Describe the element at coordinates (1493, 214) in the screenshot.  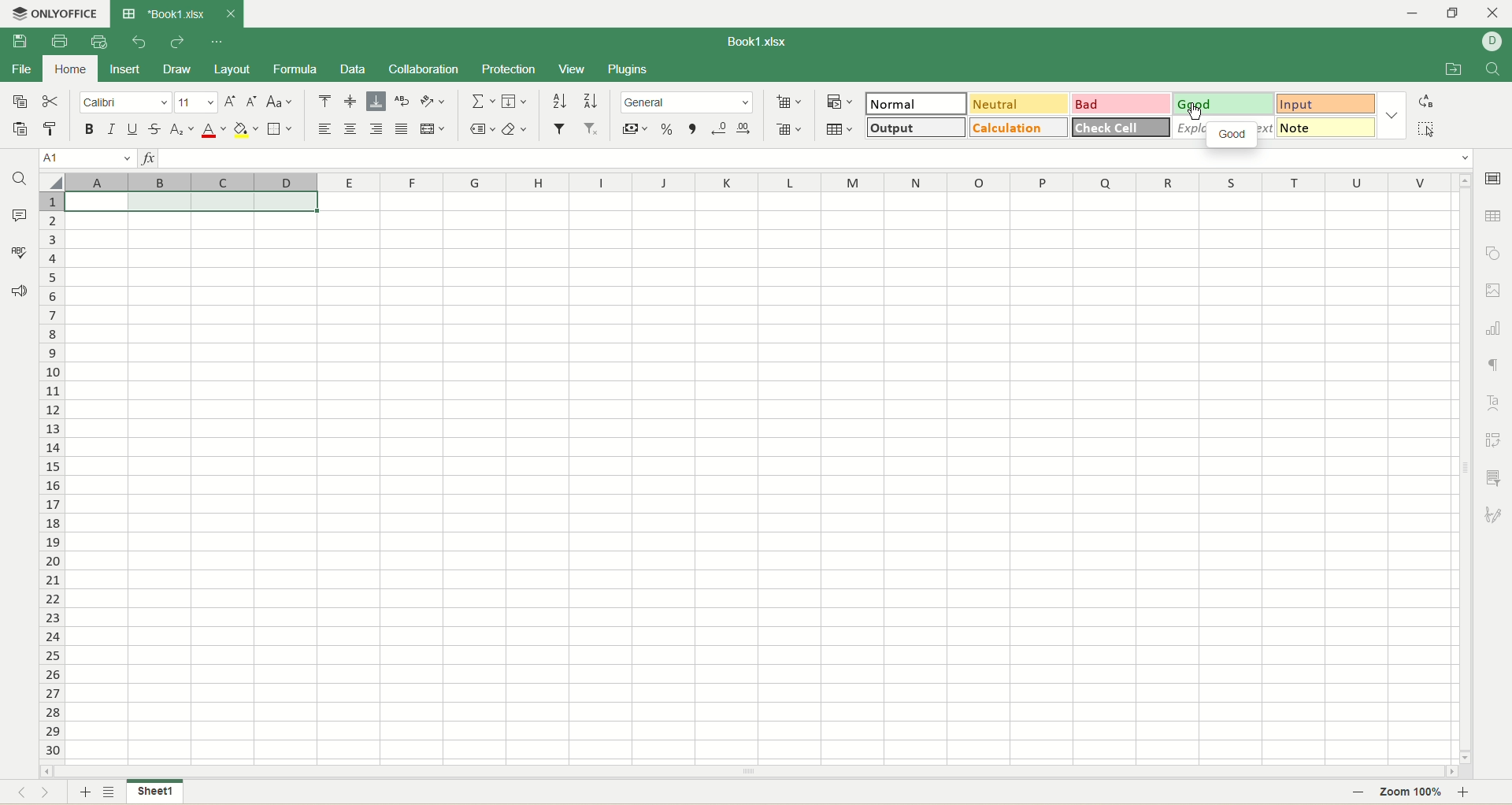
I see `table` at that location.